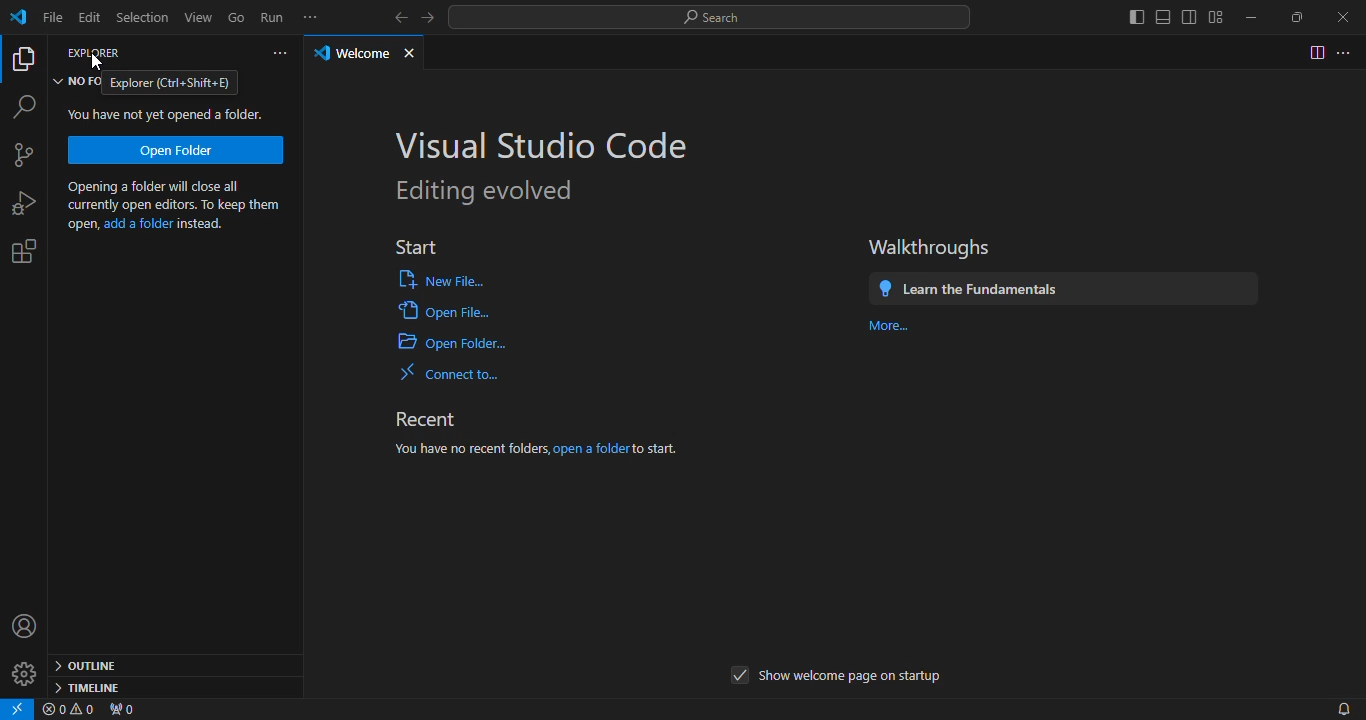 The width and height of the screenshot is (1366, 720). What do you see at coordinates (77, 83) in the screenshot?
I see `No folder tab` at bounding box center [77, 83].